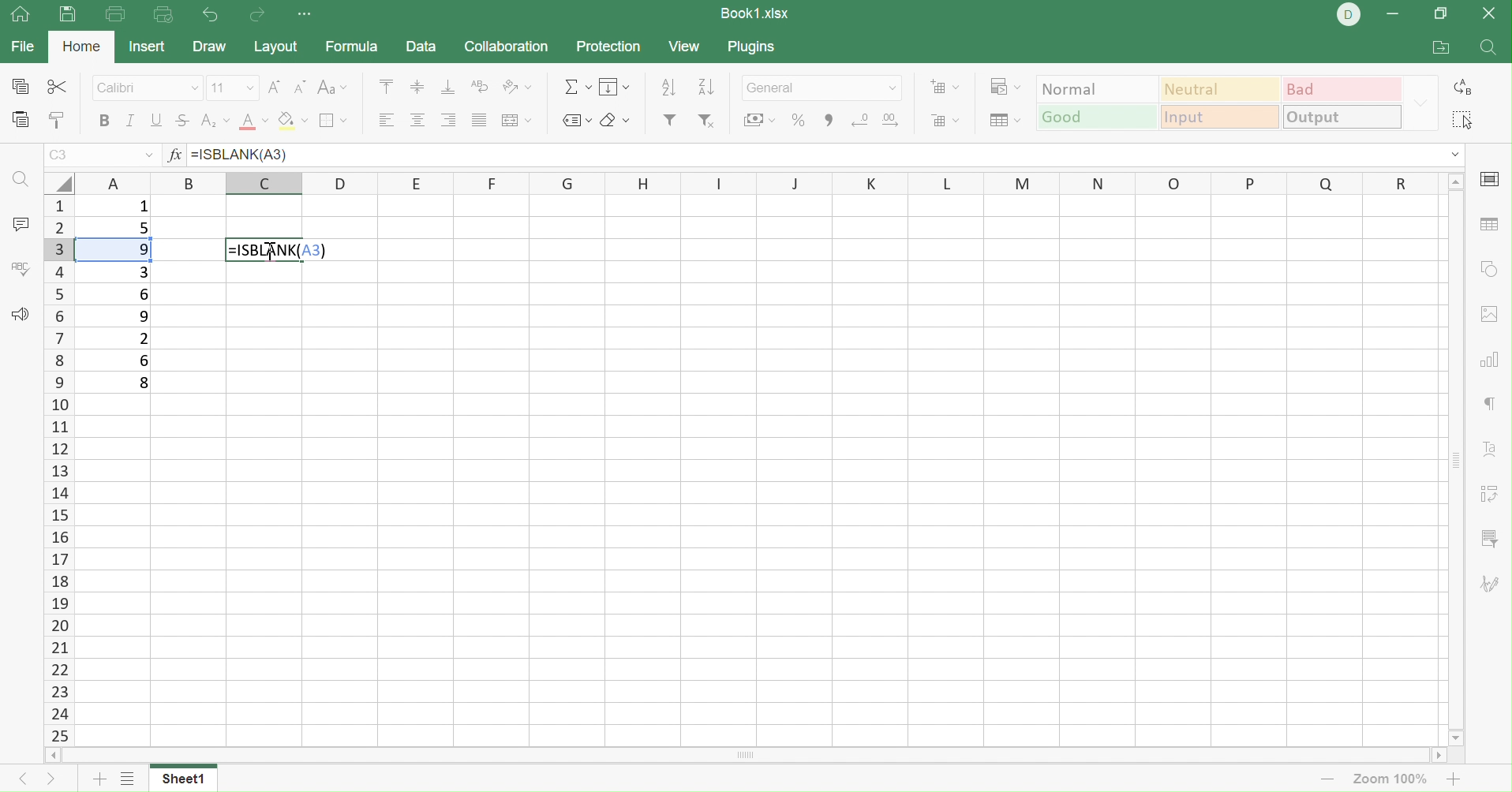 The image size is (1512, 792). I want to click on 9, so click(144, 317).